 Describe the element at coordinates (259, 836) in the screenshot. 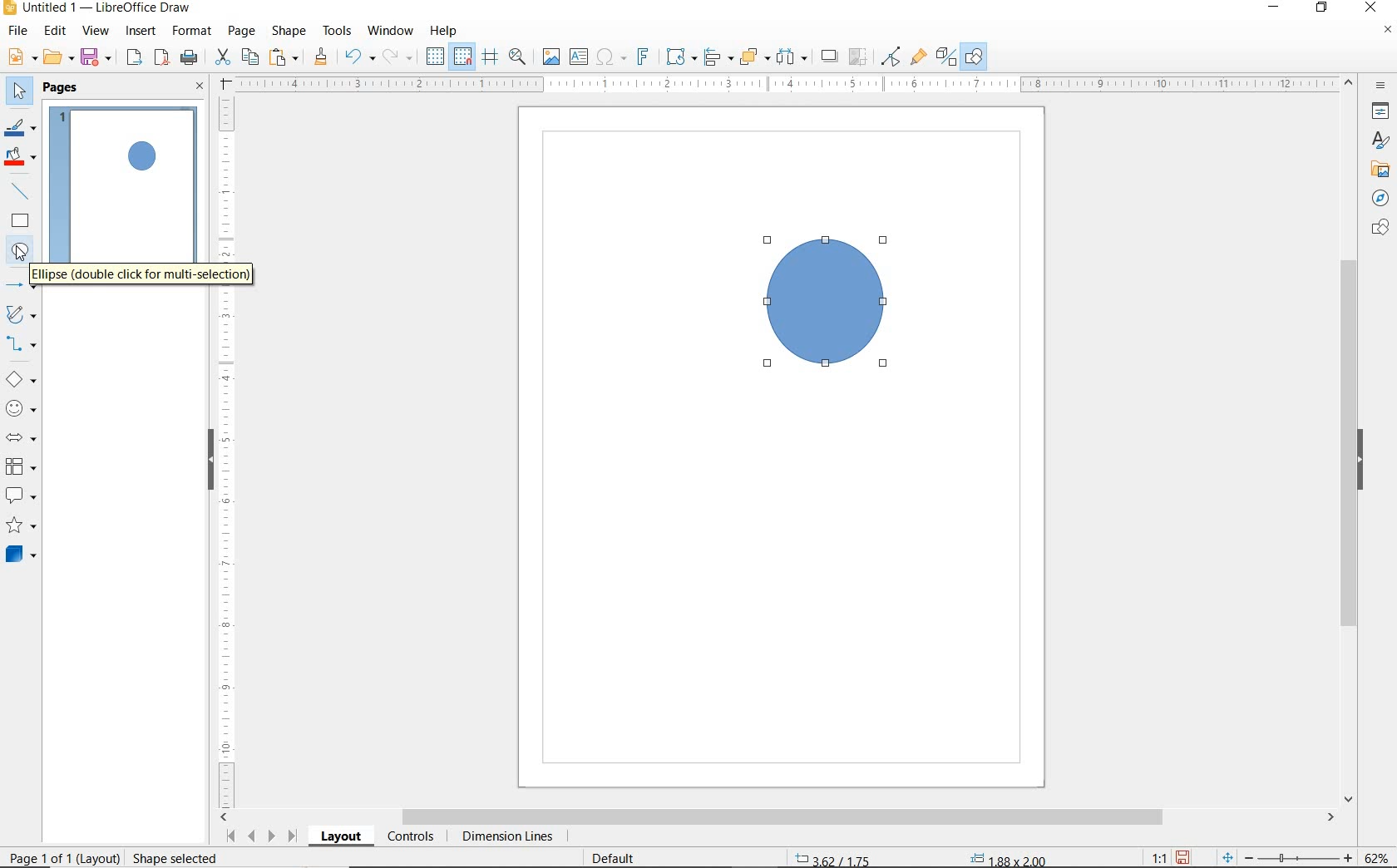

I see `SCROLL NEXT` at that location.